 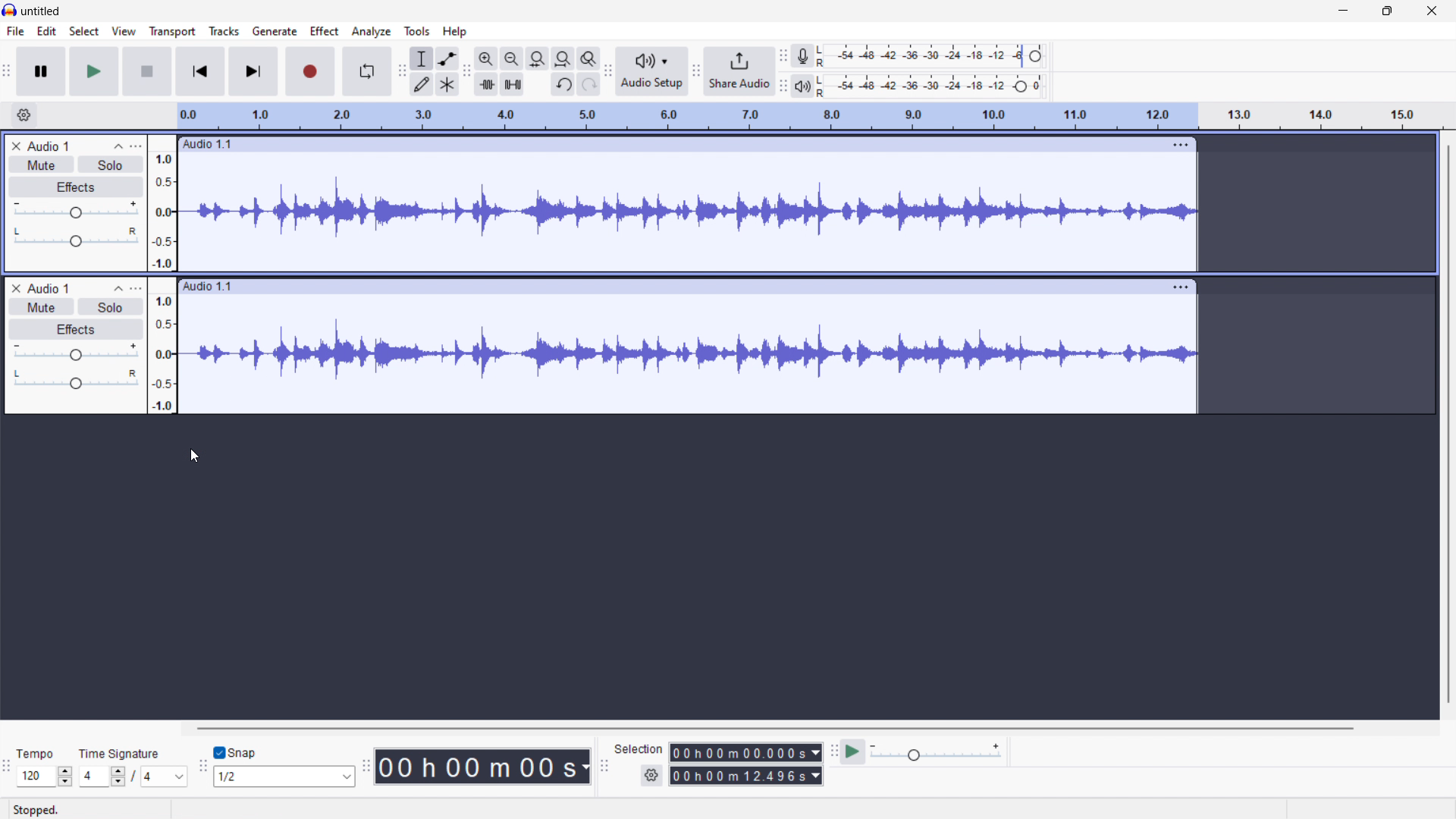 What do you see at coordinates (1387, 11) in the screenshot?
I see `maximize` at bounding box center [1387, 11].